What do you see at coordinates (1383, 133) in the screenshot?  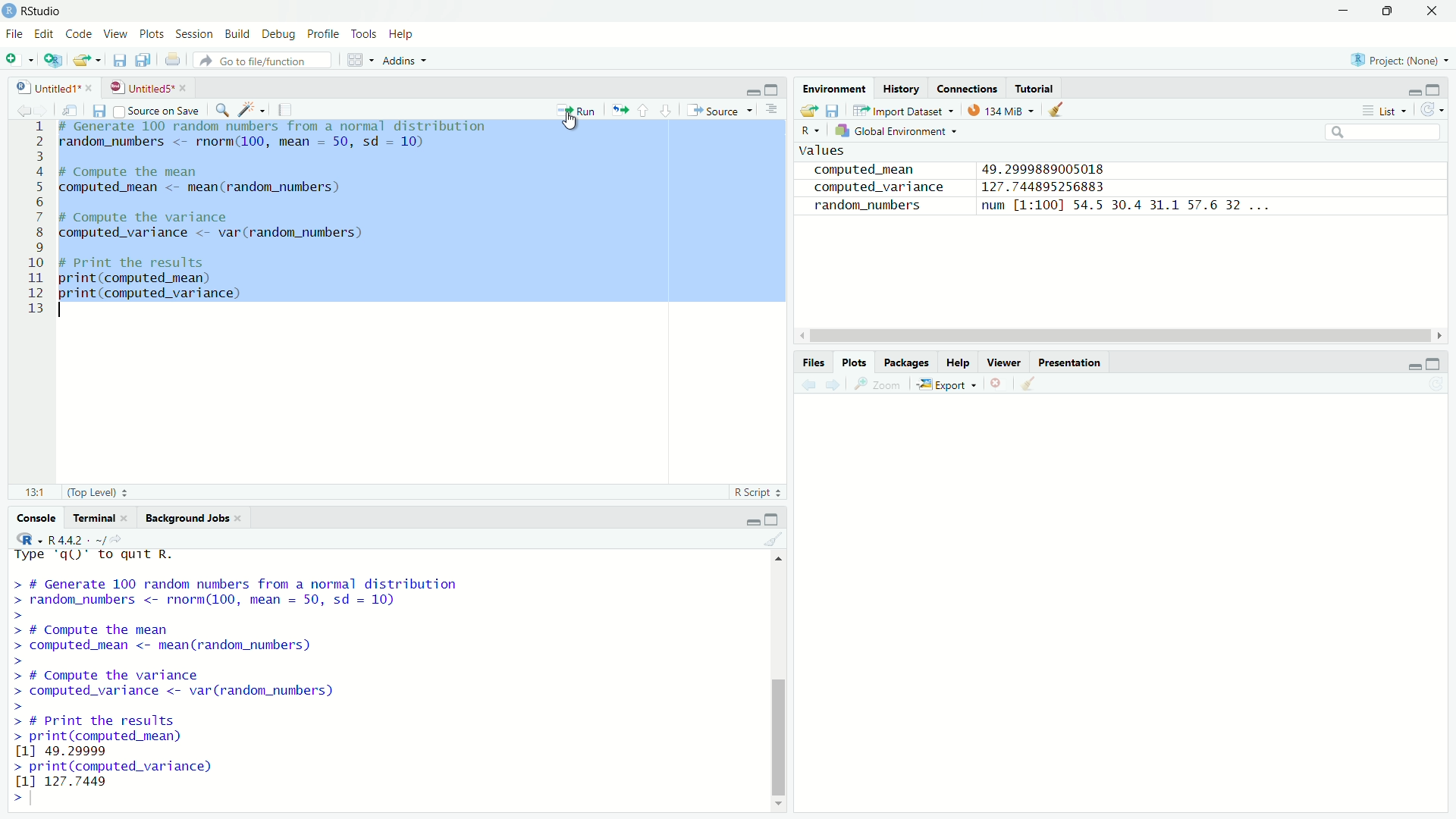 I see `search field` at bounding box center [1383, 133].